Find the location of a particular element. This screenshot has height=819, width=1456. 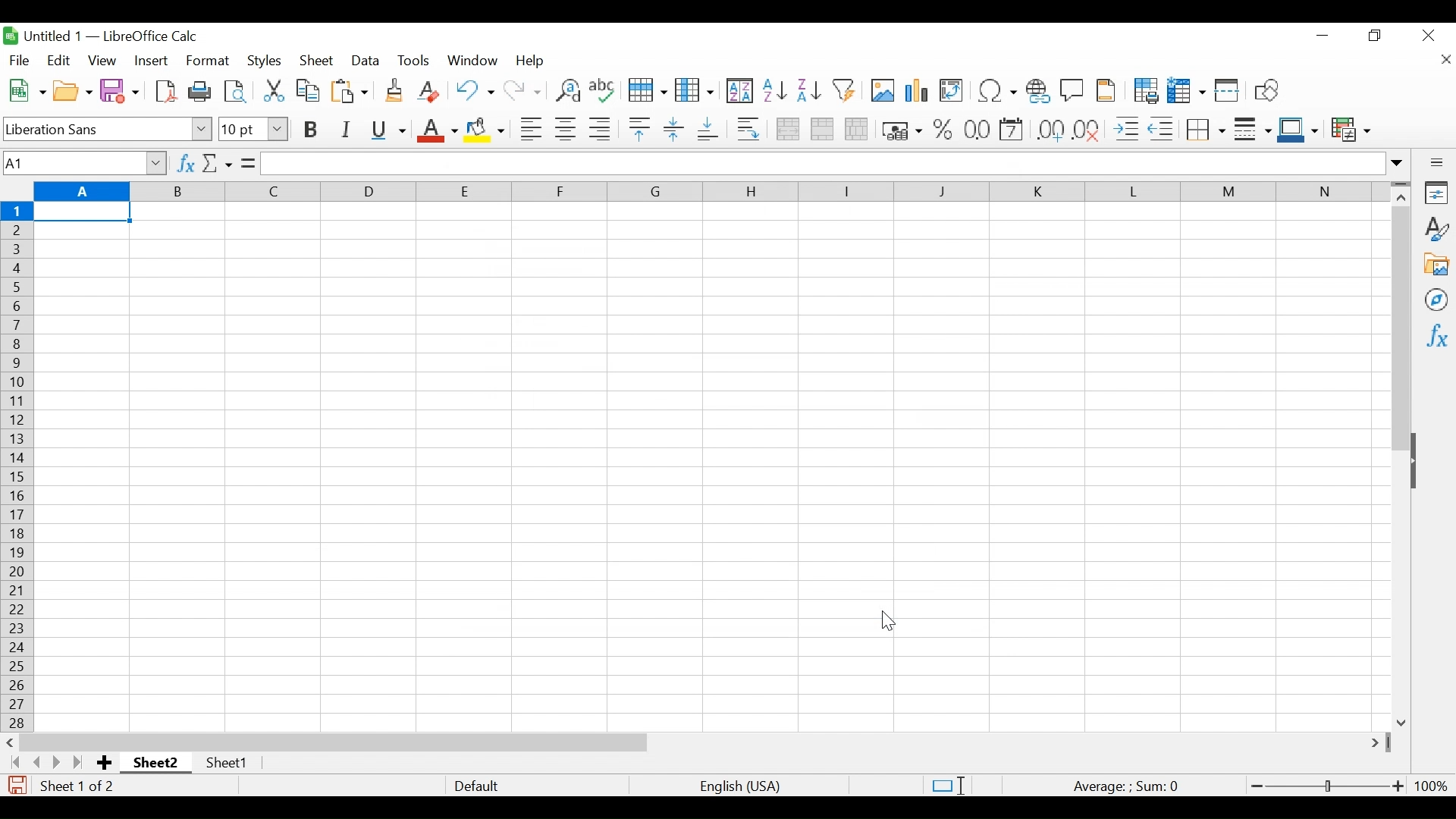

Formula is located at coordinates (248, 162).